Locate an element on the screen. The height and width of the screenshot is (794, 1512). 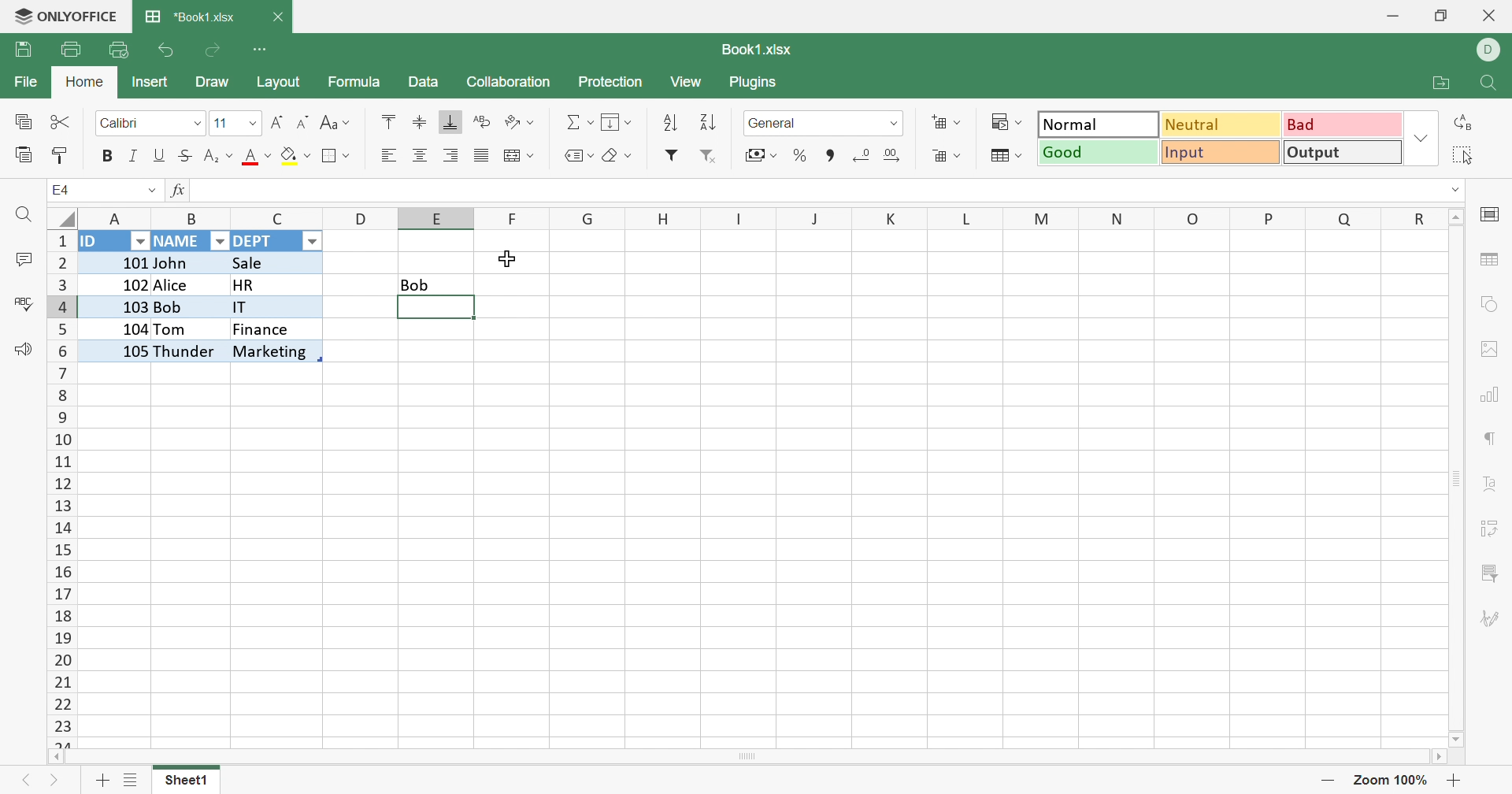
Remove Filter is located at coordinates (707, 155).